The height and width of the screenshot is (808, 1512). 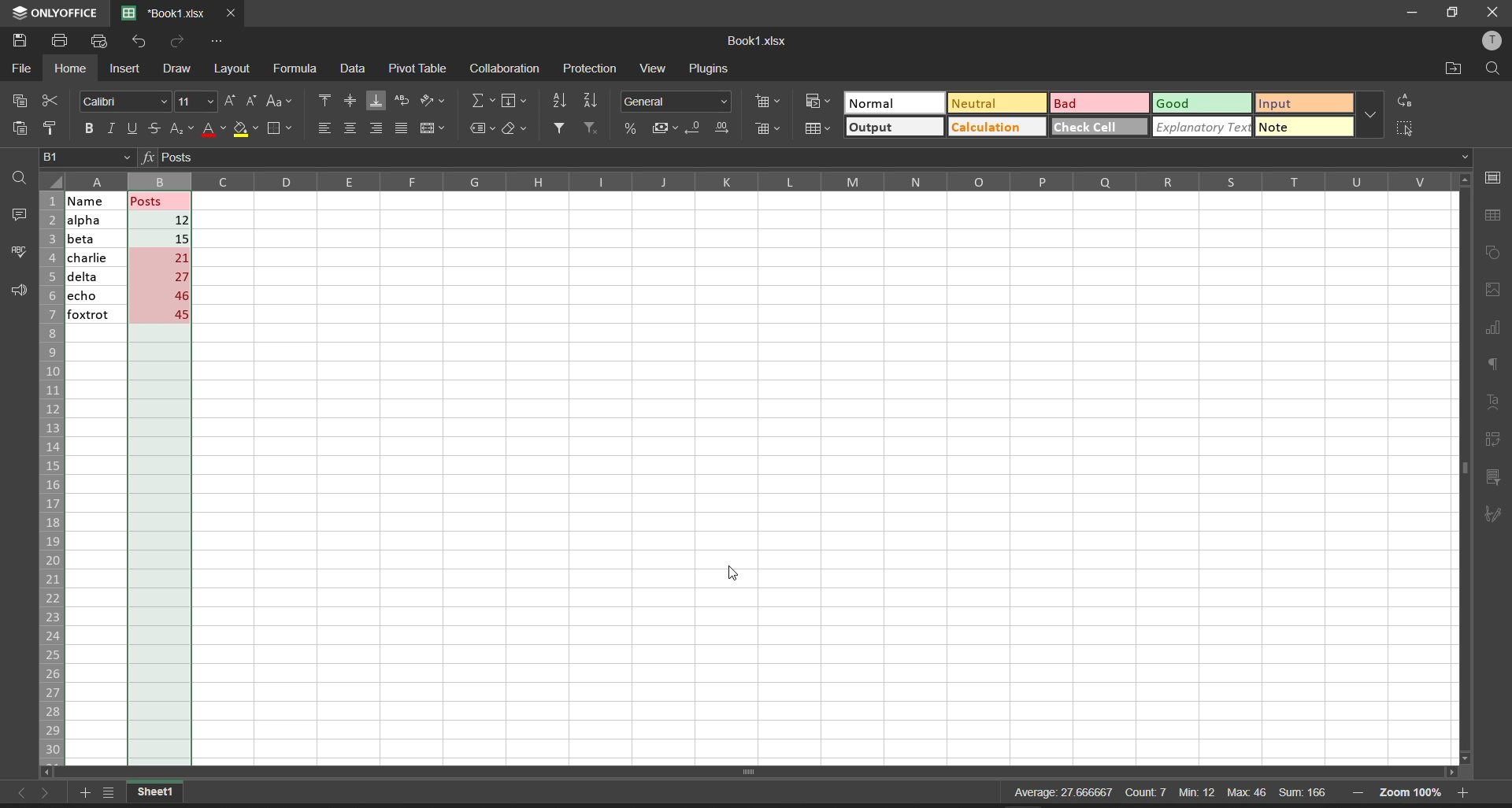 What do you see at coordinates (976, 102) in the screenshot?
I see `Neutral` at bounding box center [976, 102].